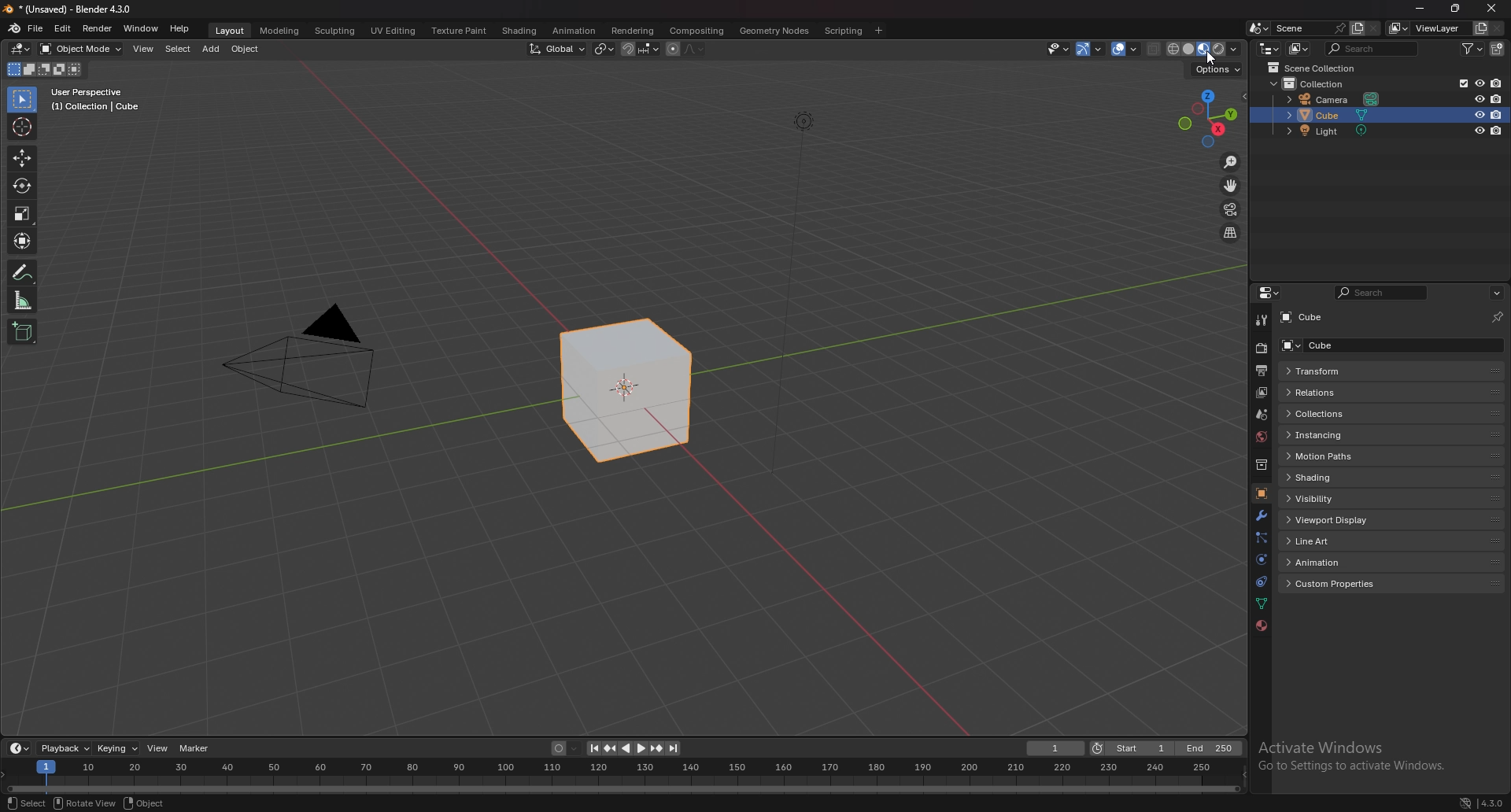  What do you see at coordinates (1496, 131) in the screenshot?
I see `disable in renders` at bounding box center [1496, 131].